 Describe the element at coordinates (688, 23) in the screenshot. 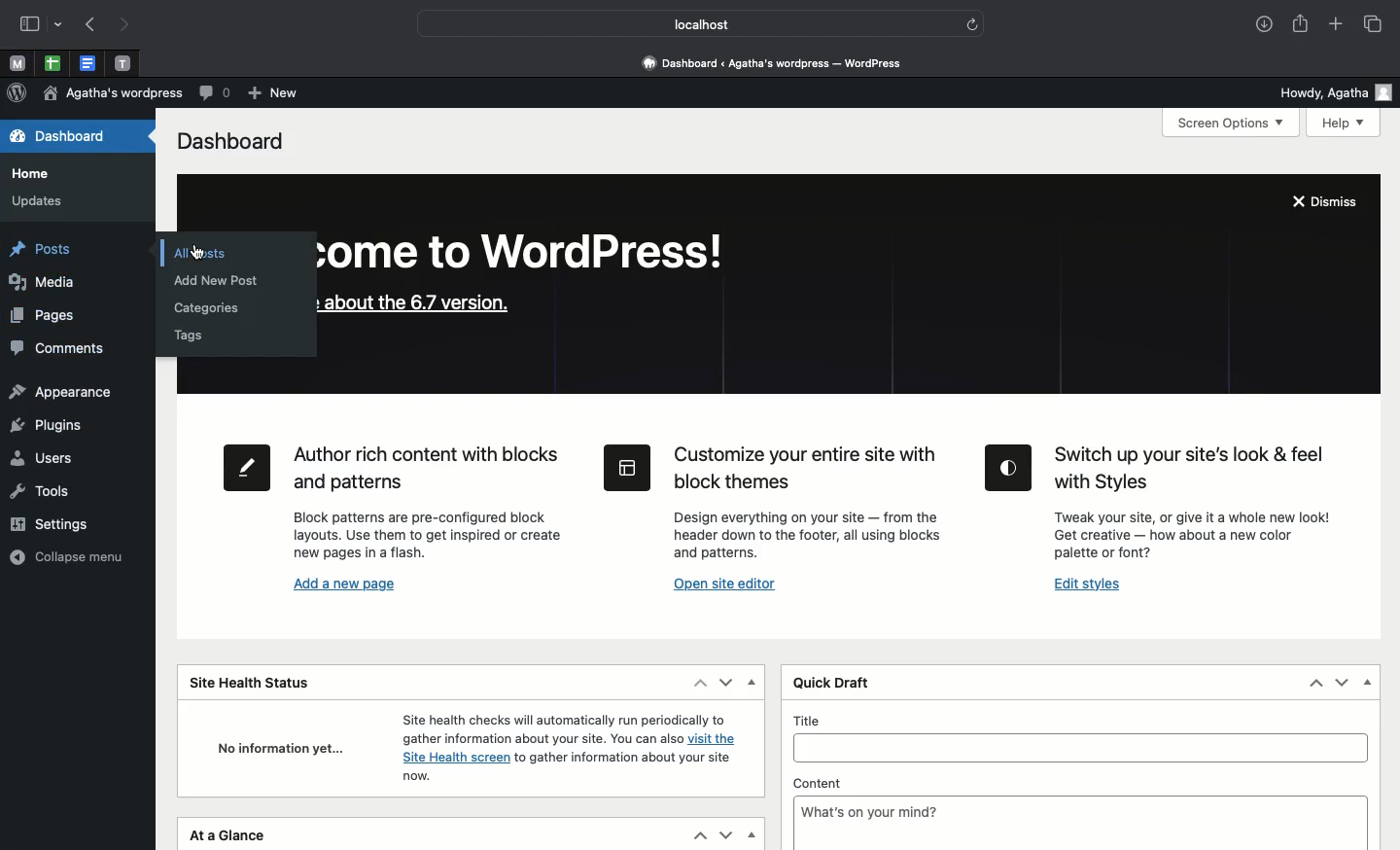

I see `Local host` at that location.